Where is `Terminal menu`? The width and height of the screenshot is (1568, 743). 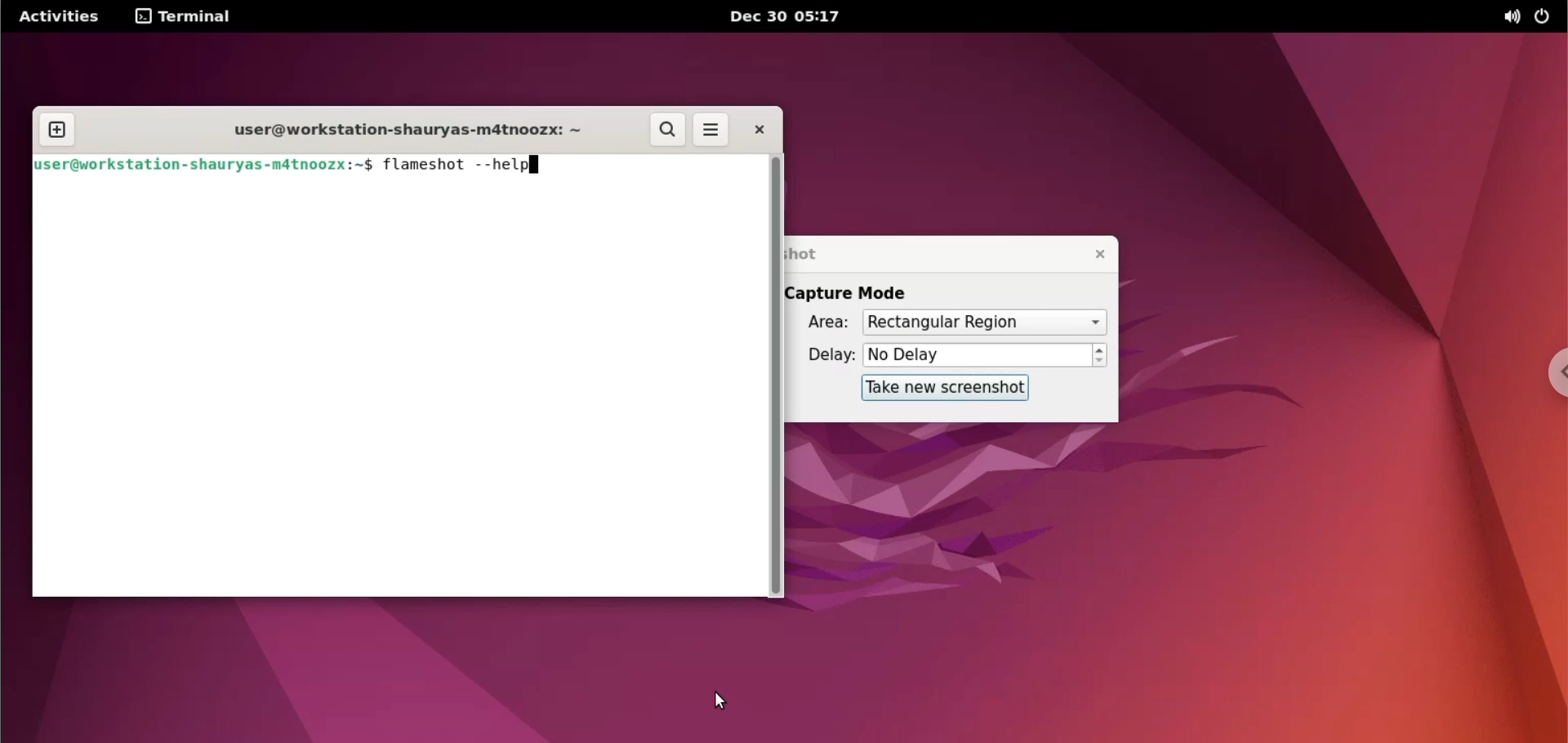 Terminal menu is located at coordinates (189, 16).